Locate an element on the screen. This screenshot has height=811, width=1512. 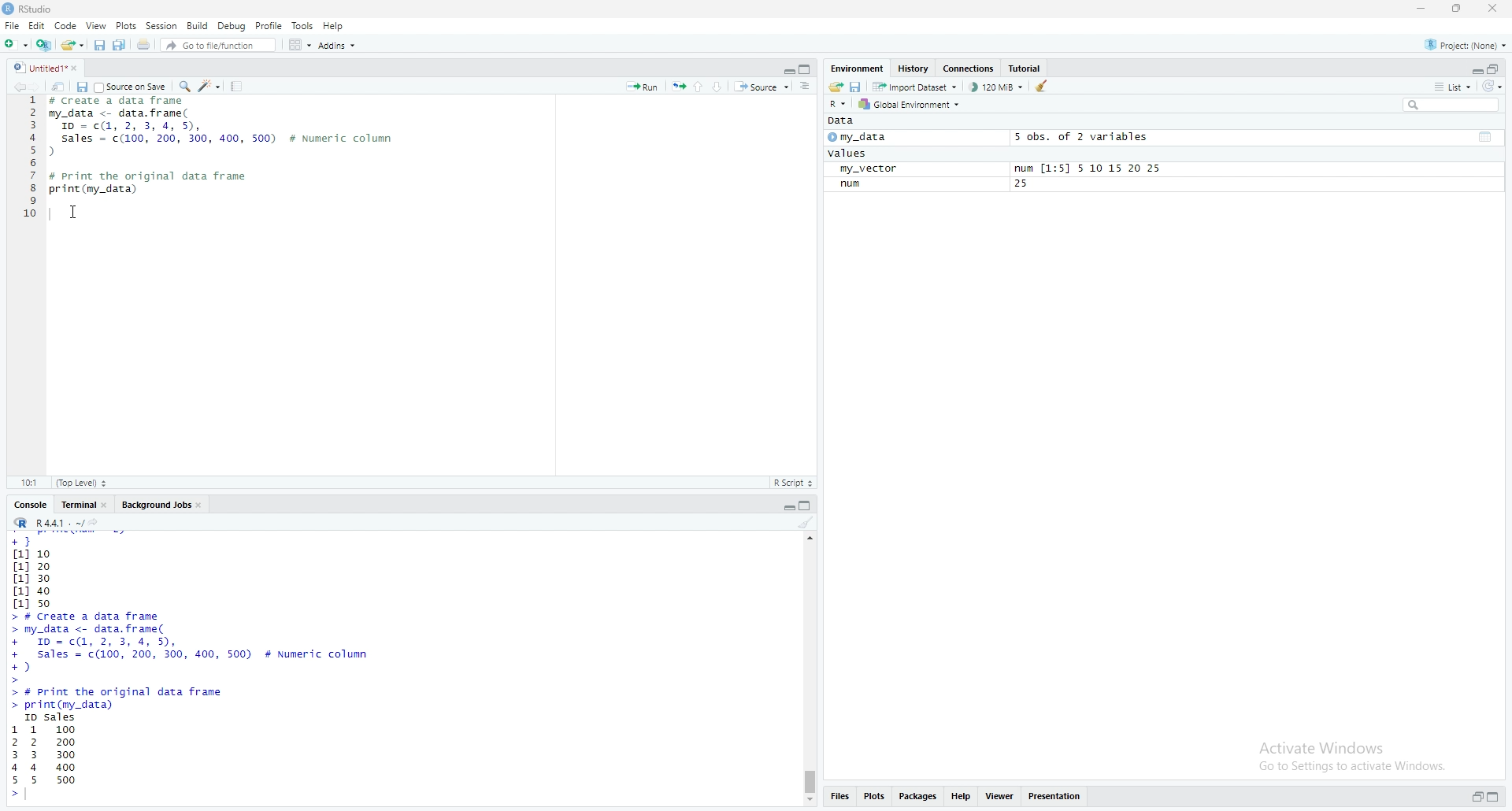
minimize is located at coordinates (784, 506).